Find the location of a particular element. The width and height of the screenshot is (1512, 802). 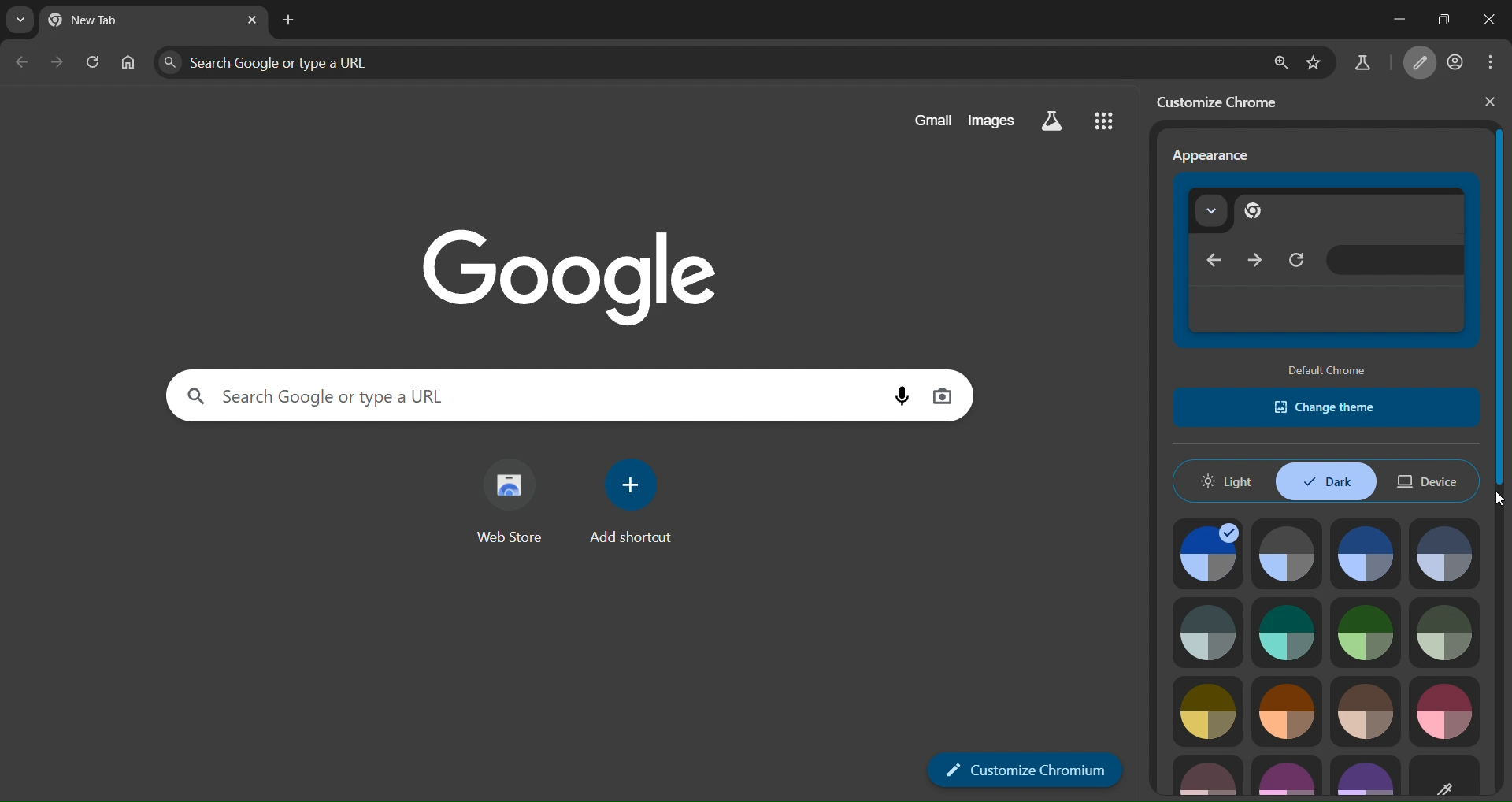

close is located at coordinates (1491, 22).